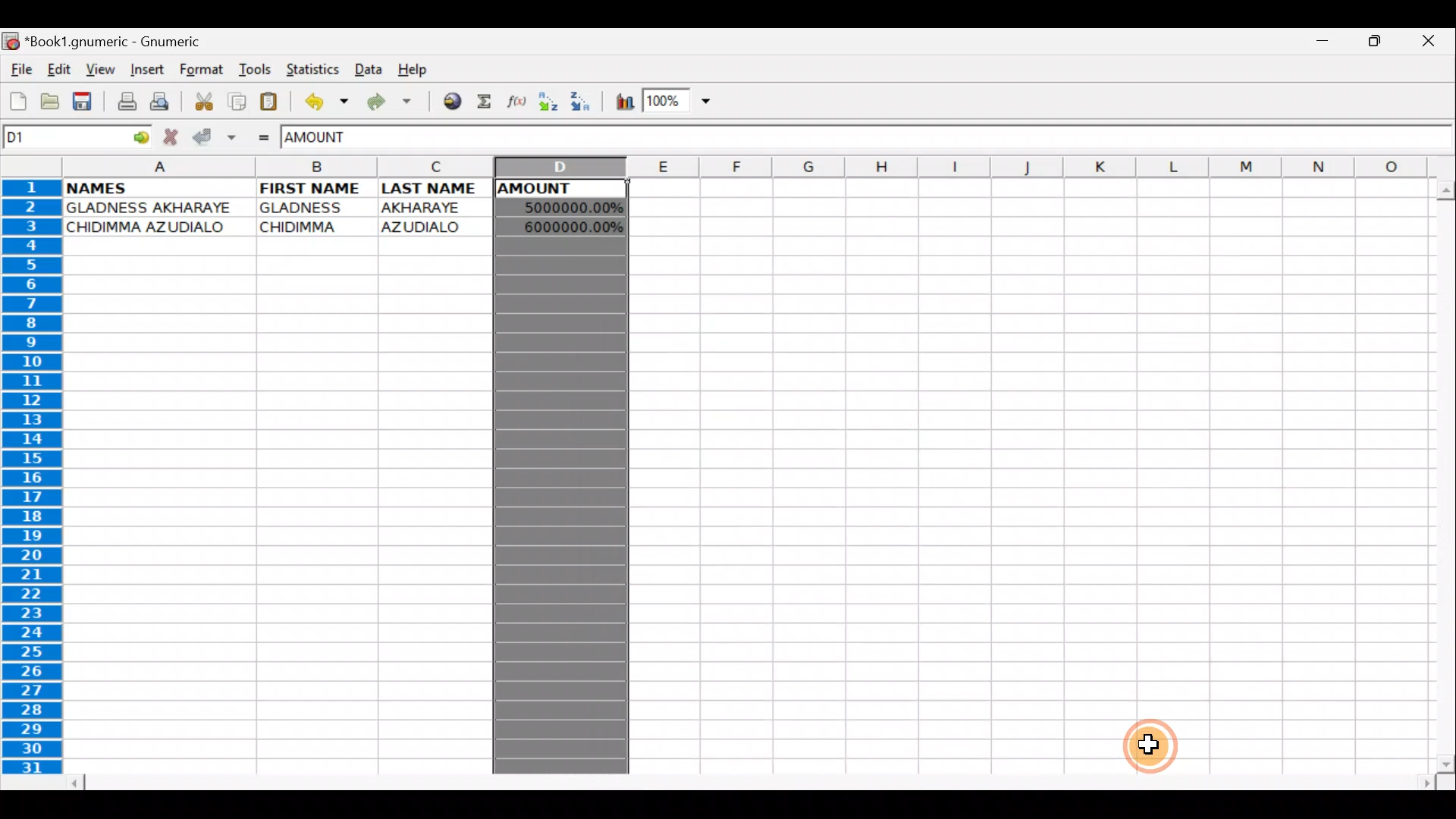 The height and width of the screenshot is (819, 1456). What do you see at coordinates (309, 69) in the screenshot?
I see `Statistics` at bounding box center [309, 69].